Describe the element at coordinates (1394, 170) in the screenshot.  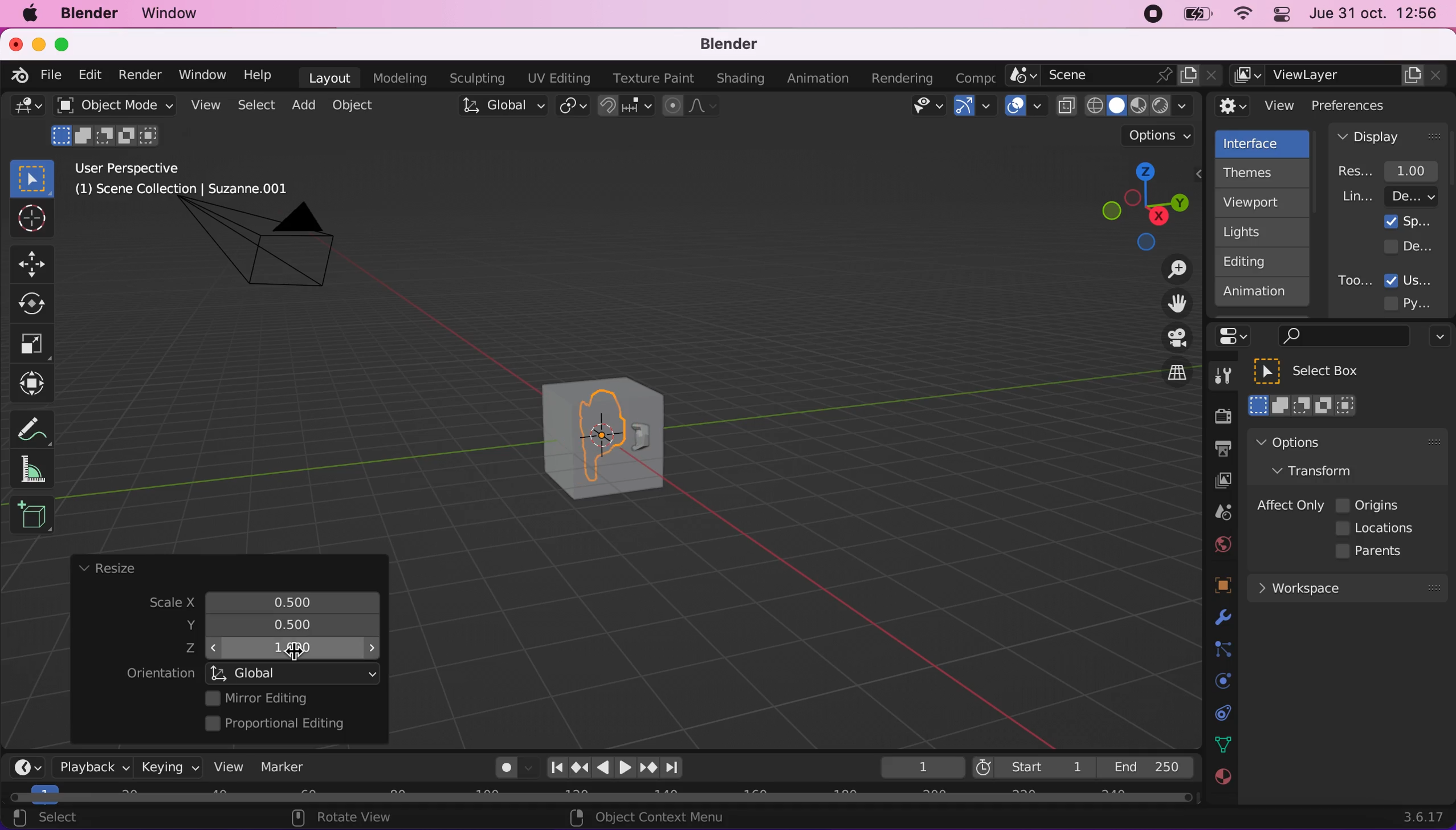
I see `resolution scale` at that location.